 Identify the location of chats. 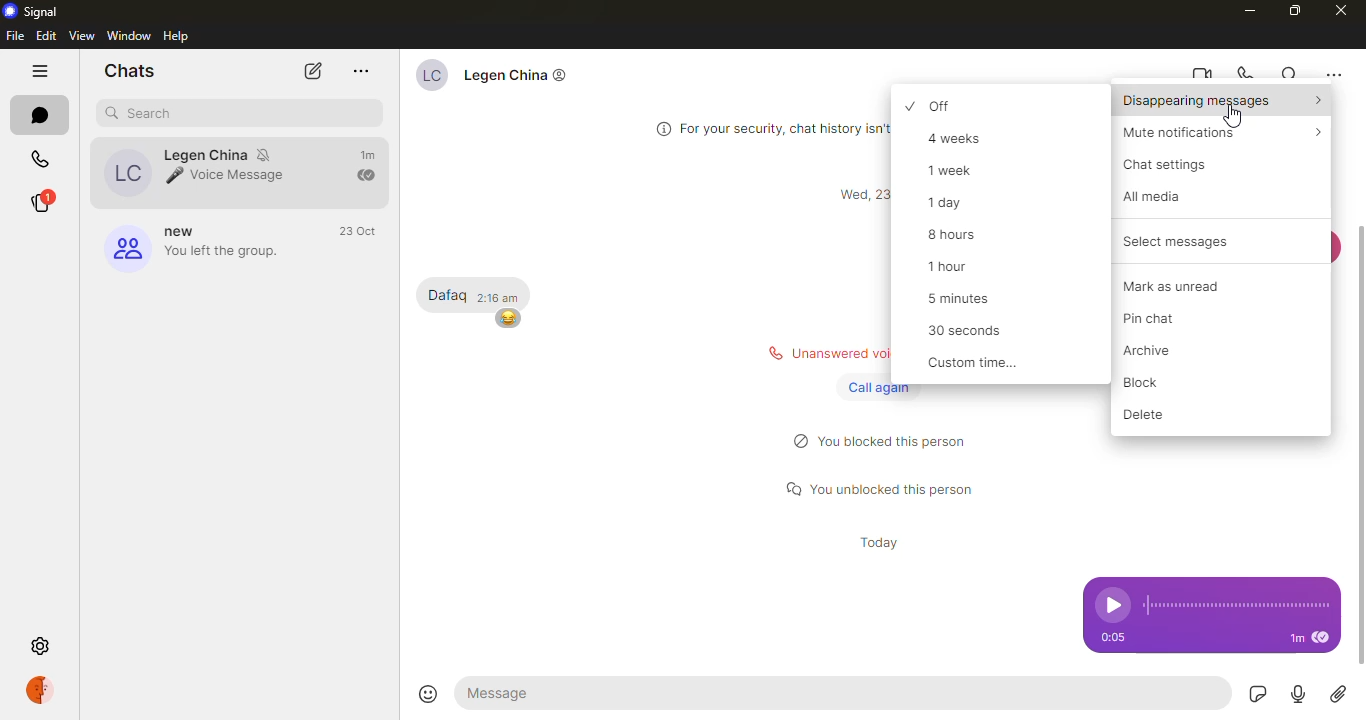
(43, 113).